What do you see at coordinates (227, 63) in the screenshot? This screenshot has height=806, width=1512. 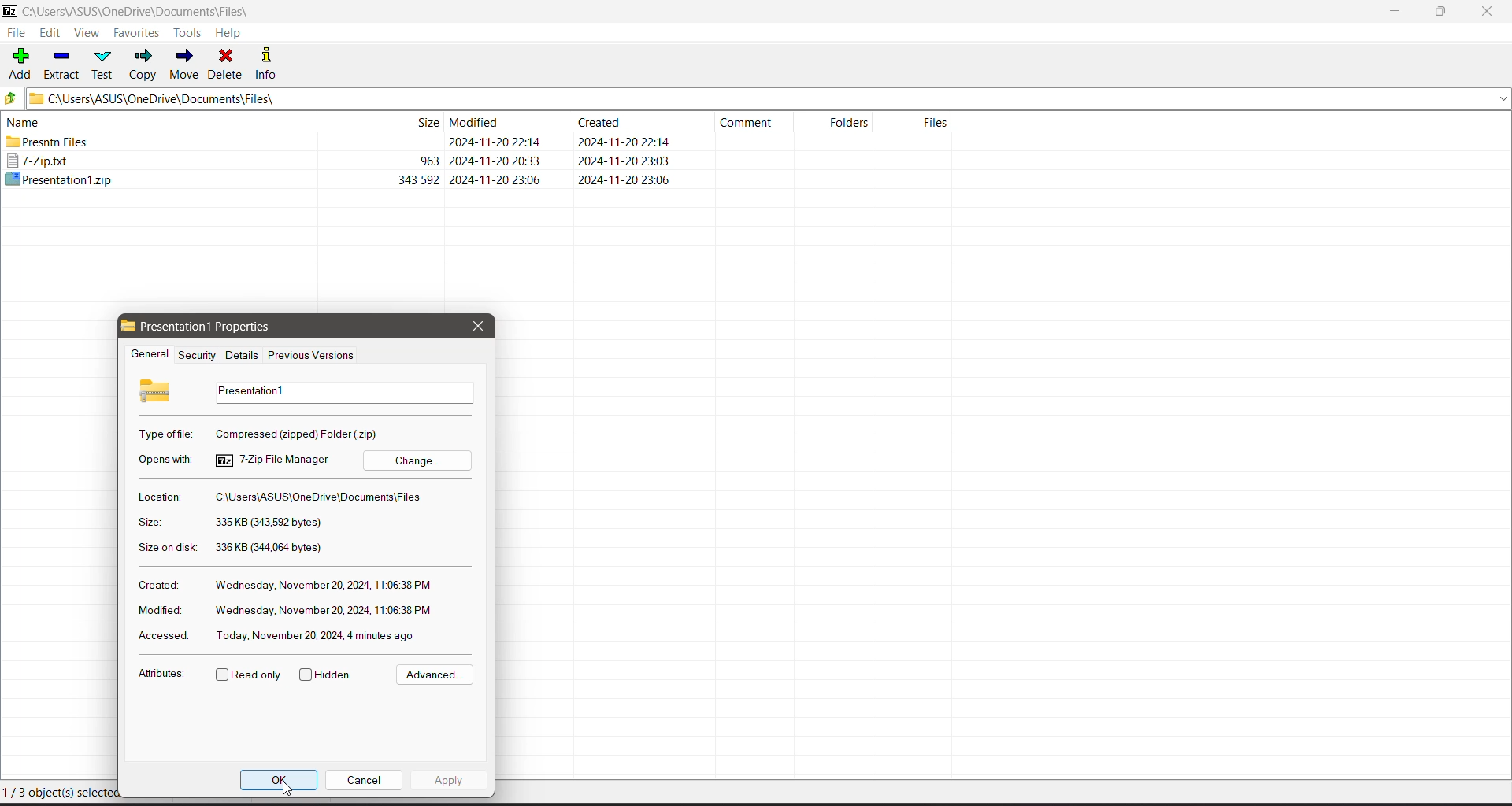 I see `Delete` at bounding box center [227, 63].